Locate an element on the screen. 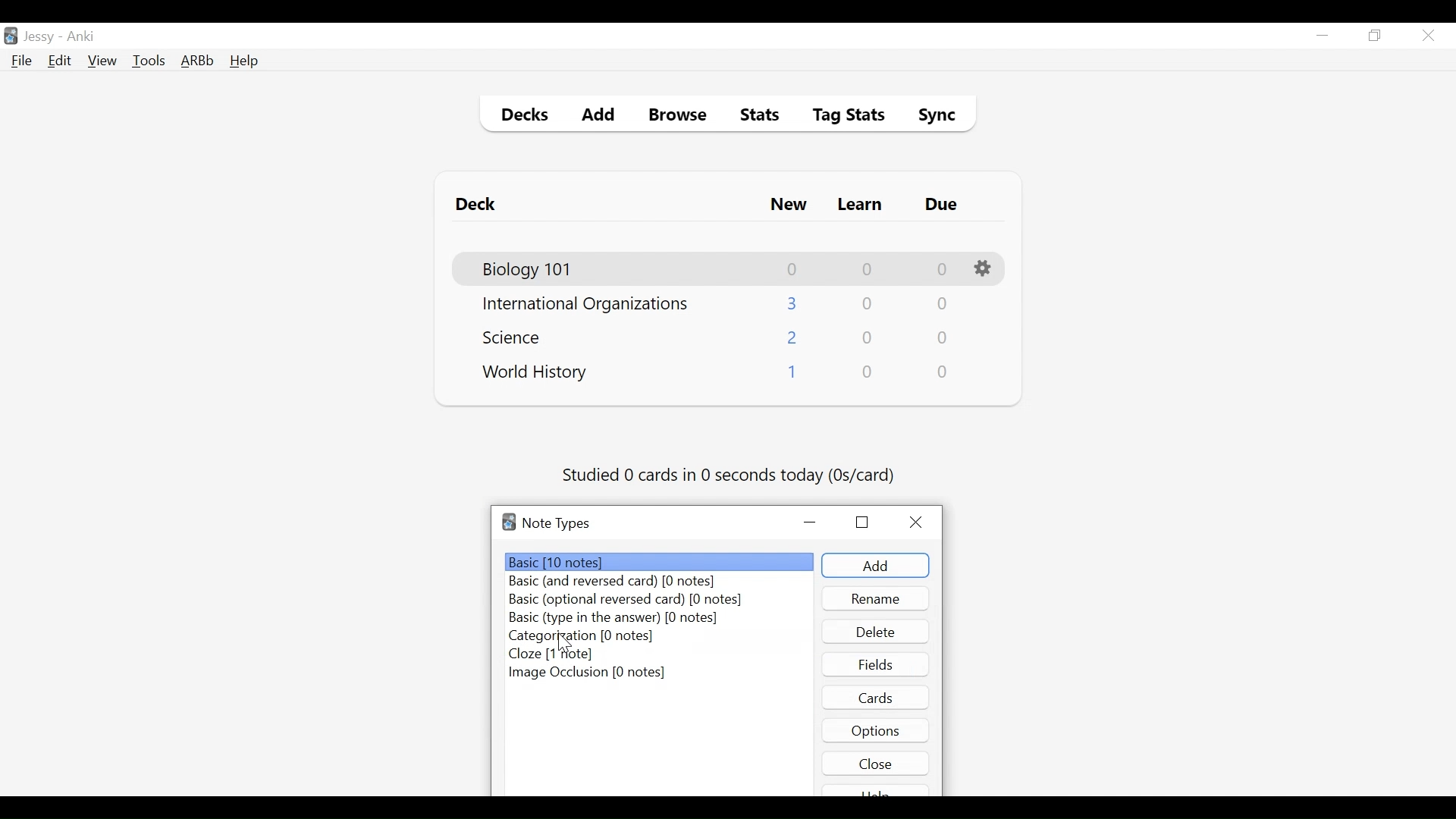 This screenshot has width=1456, height=819.  is located at coordinates (868, 372).